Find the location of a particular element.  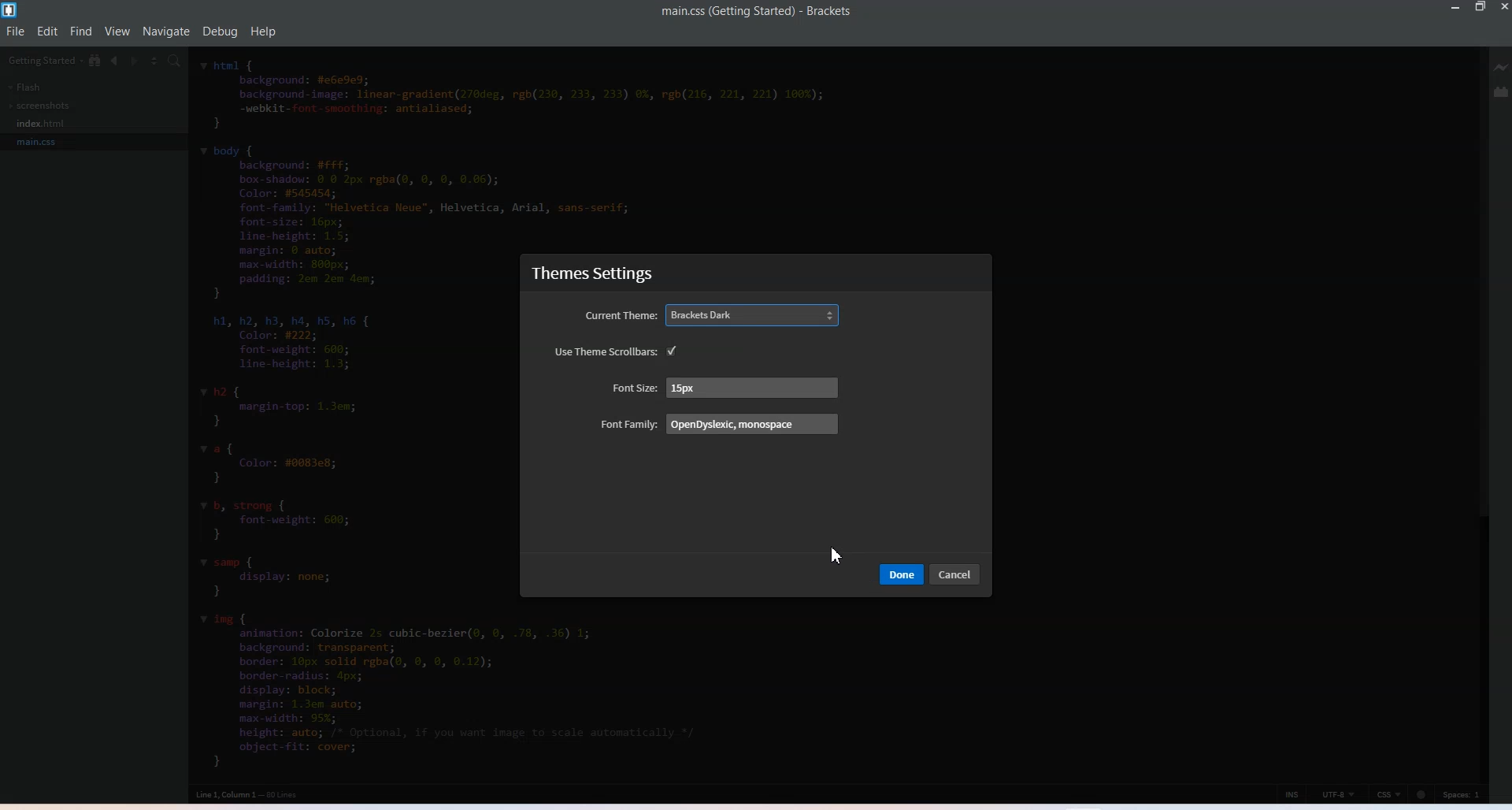

File is located at coordinates (16, 32).